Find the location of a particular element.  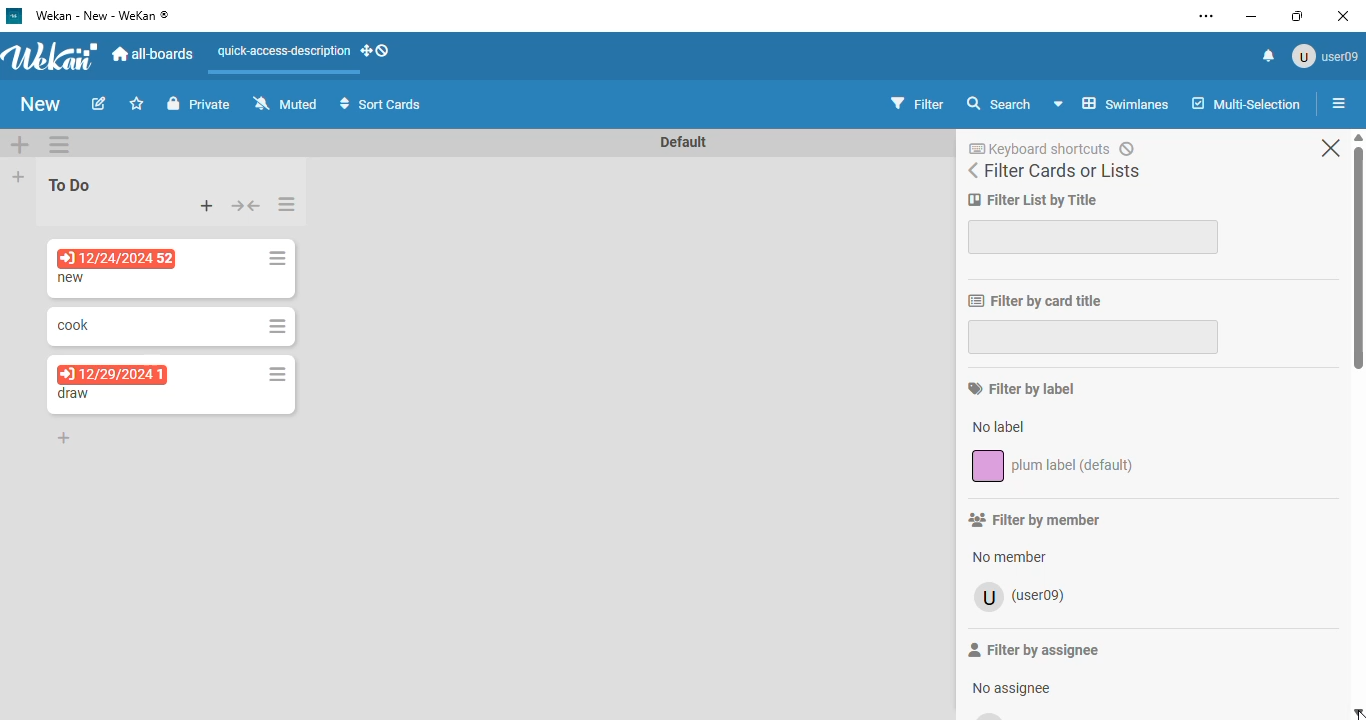

add list is located at coordinates (18, 176).